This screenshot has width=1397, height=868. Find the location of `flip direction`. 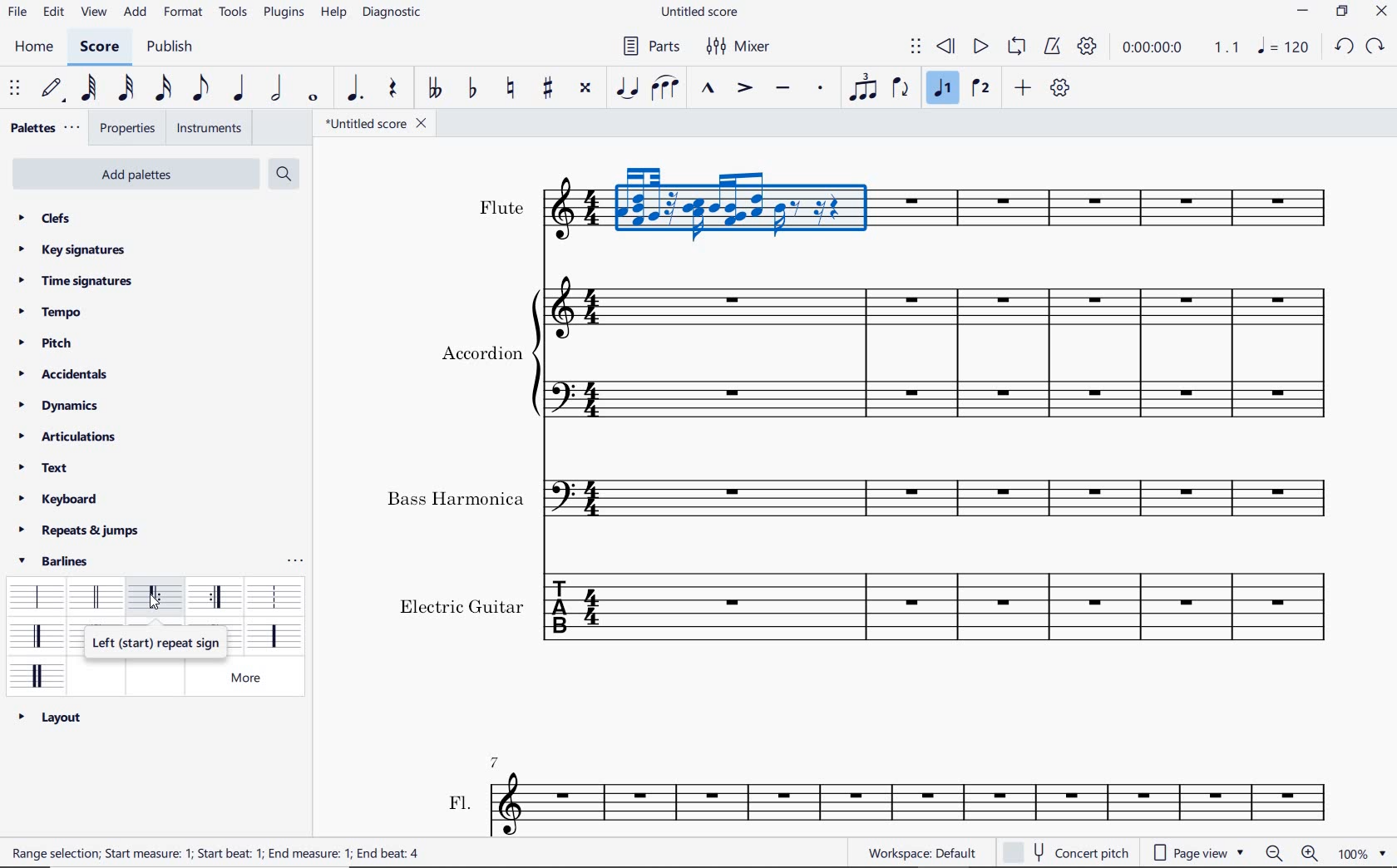

flip direction is located at coordinates (901, 89).